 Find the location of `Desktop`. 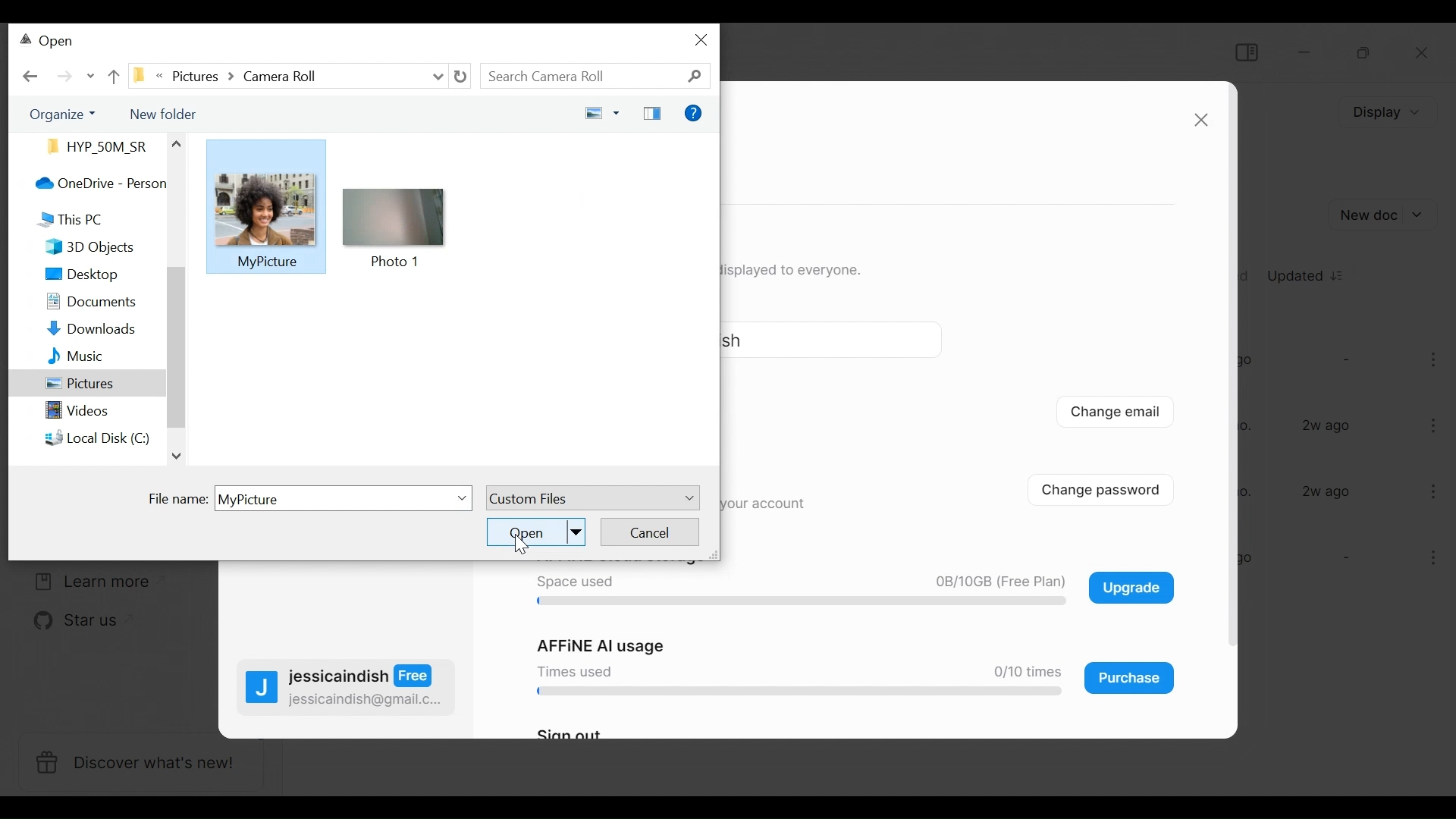

Desktop is located at coordinates (80, 275).